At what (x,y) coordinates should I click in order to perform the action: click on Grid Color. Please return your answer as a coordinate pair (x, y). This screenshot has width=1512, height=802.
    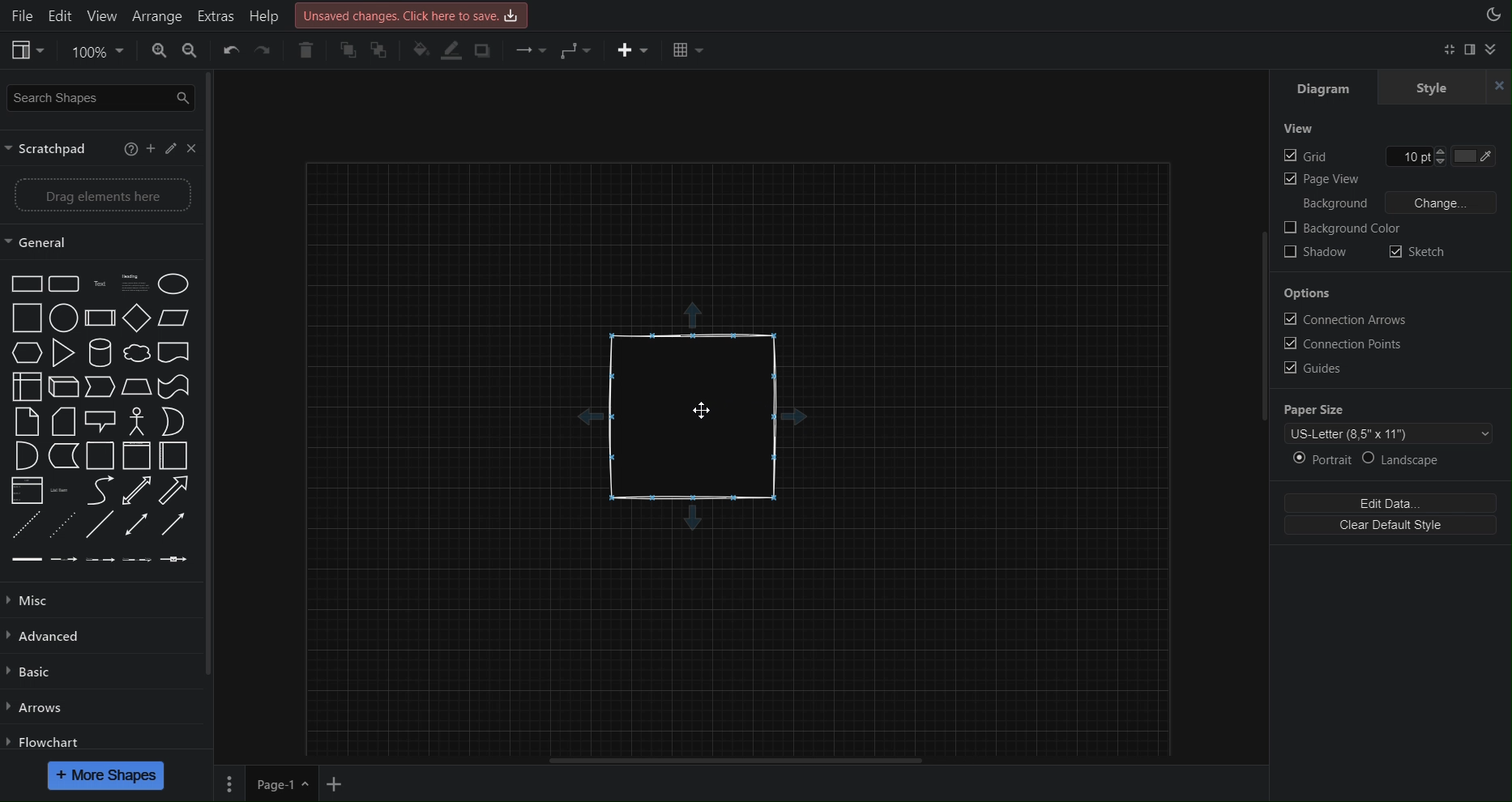
    Looking at the image, I should click on (1483, 156).